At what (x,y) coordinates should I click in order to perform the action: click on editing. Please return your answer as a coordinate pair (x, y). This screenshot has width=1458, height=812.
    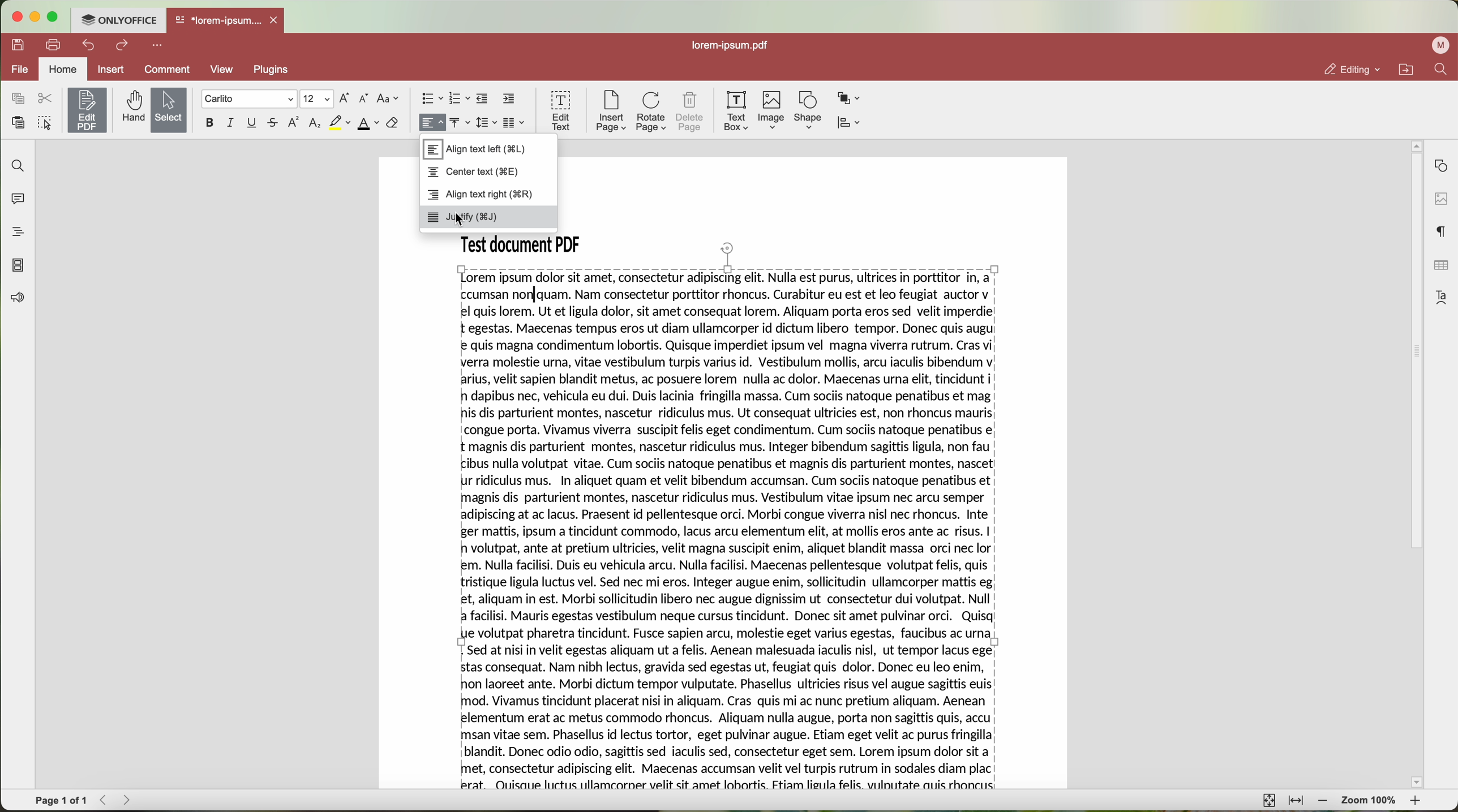
    Looking at the image, I should click on (1348, 67).